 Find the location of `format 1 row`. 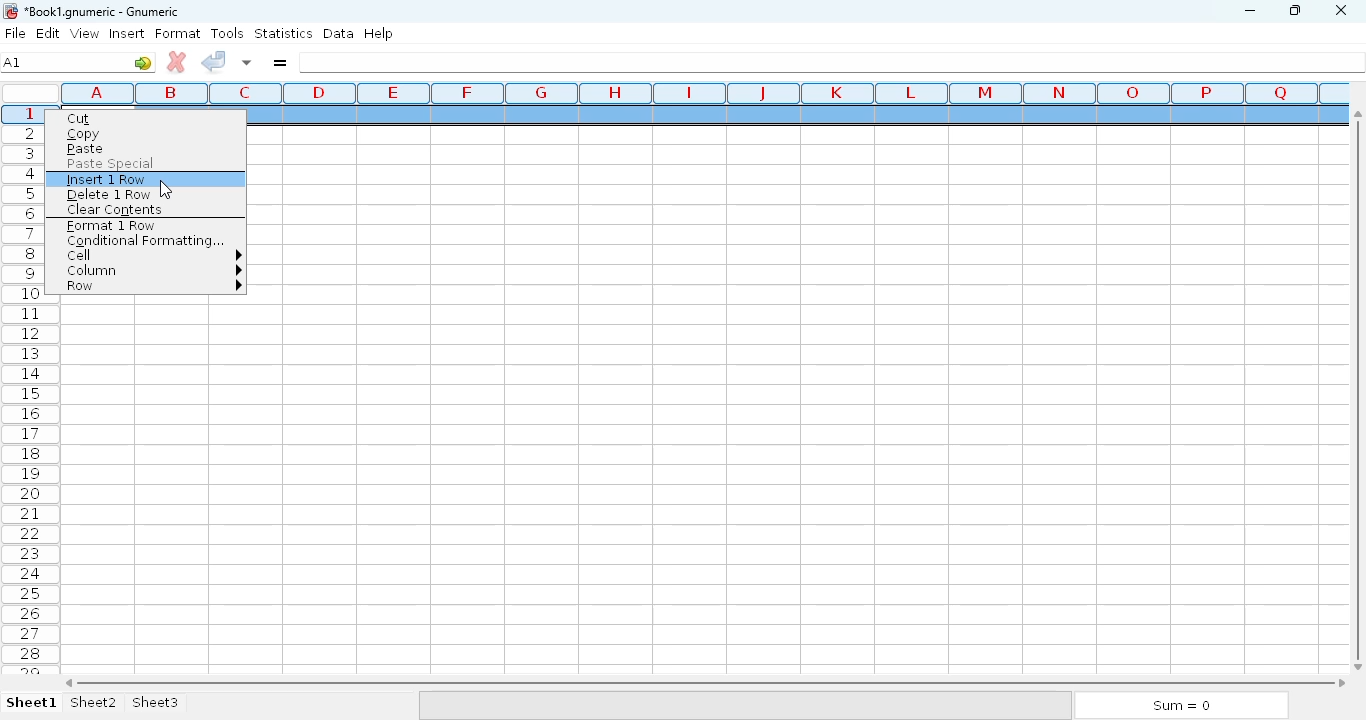

format 1 row is located at coordinates (111, 226).